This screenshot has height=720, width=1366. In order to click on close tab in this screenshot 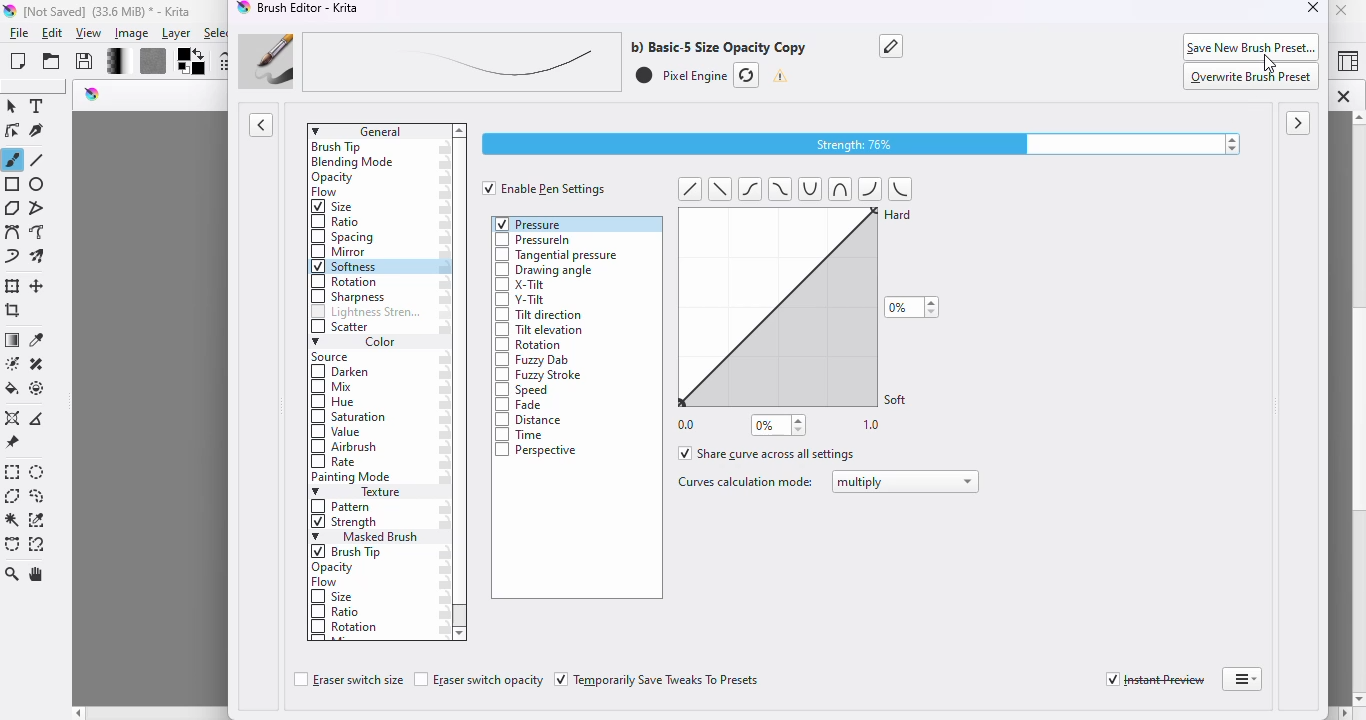, I will do `click(1343, 96)`.